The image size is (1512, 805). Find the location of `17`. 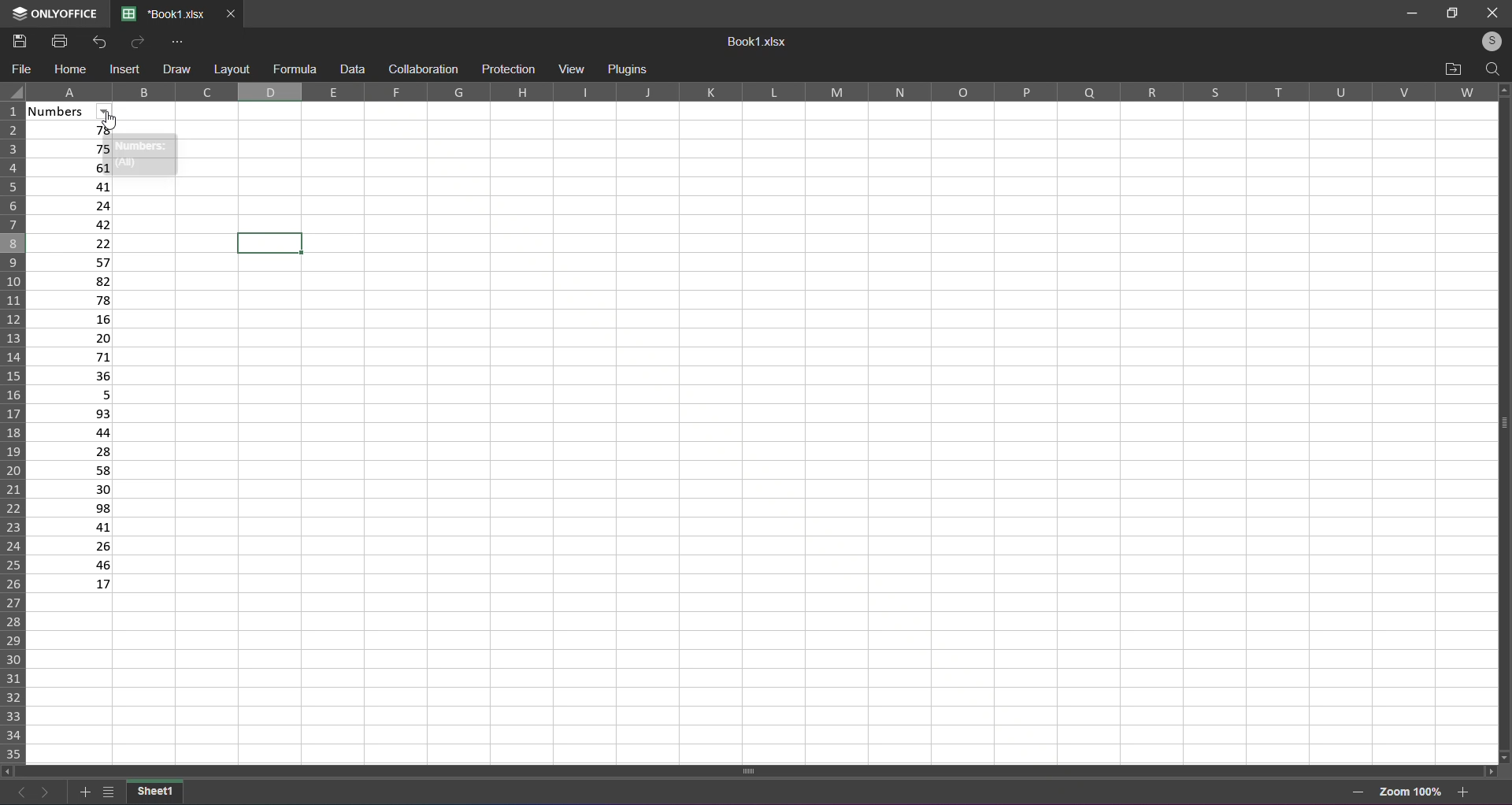

17 is located at coordinates (72, 585).